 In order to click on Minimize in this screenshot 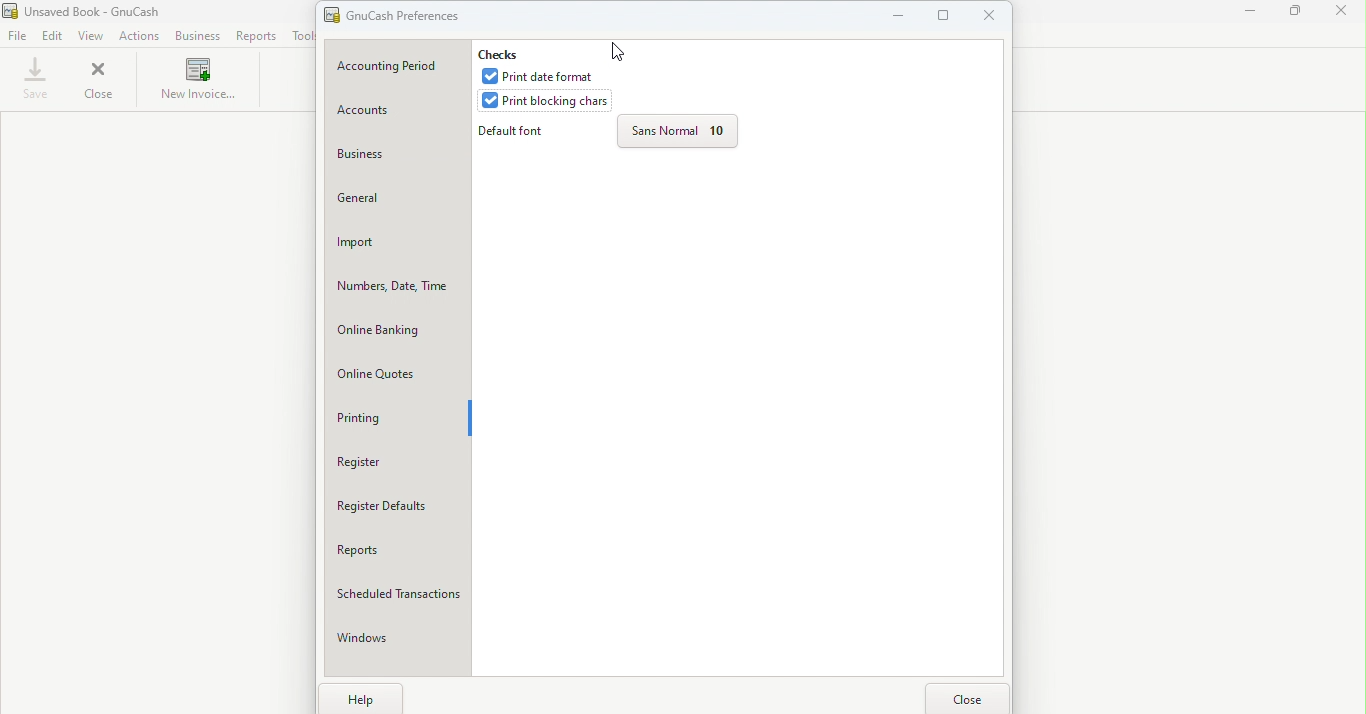, I will do `click(1246, 15)`.